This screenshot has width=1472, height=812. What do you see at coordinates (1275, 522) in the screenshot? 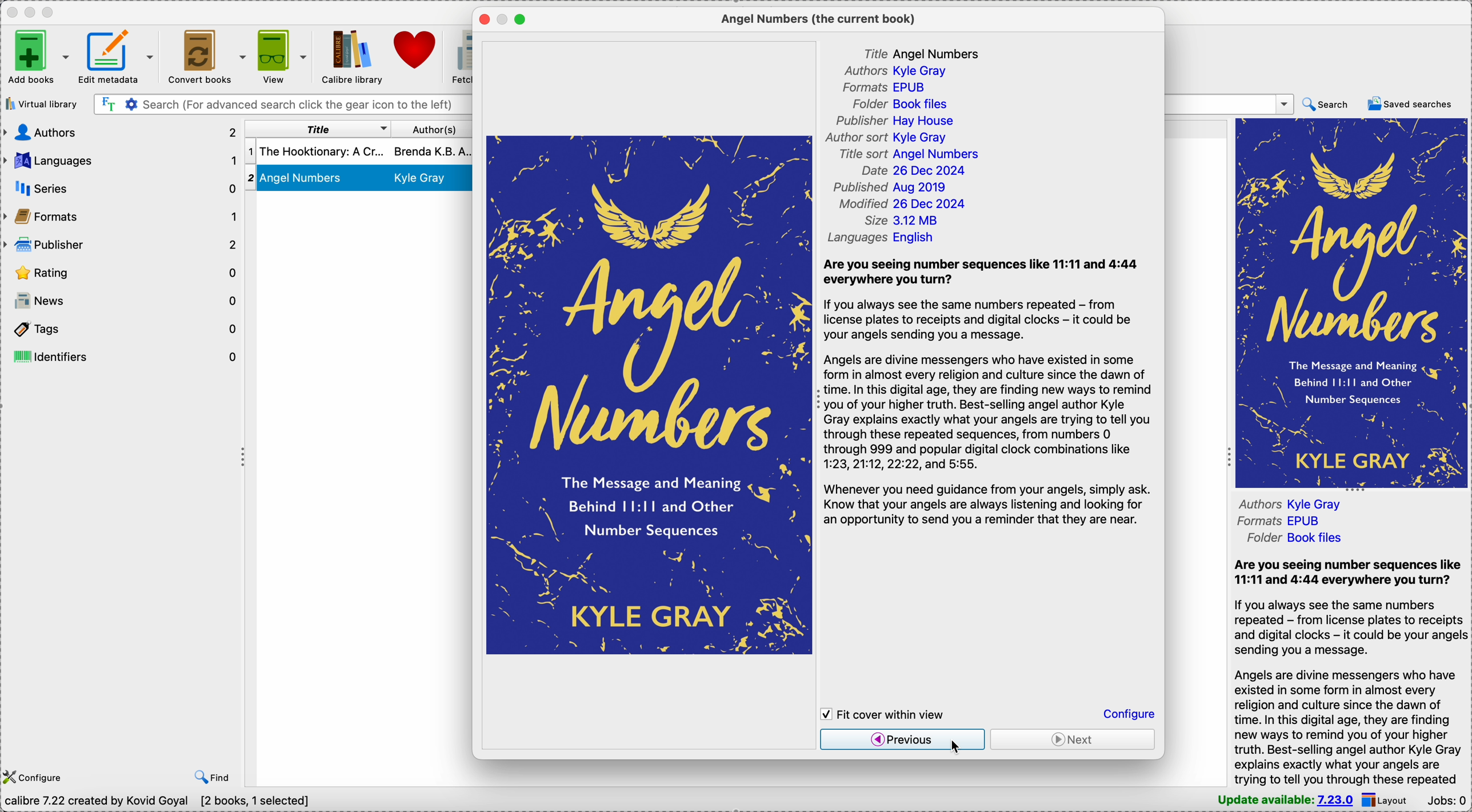
I see `formats` at bounding box center [1275, 522].